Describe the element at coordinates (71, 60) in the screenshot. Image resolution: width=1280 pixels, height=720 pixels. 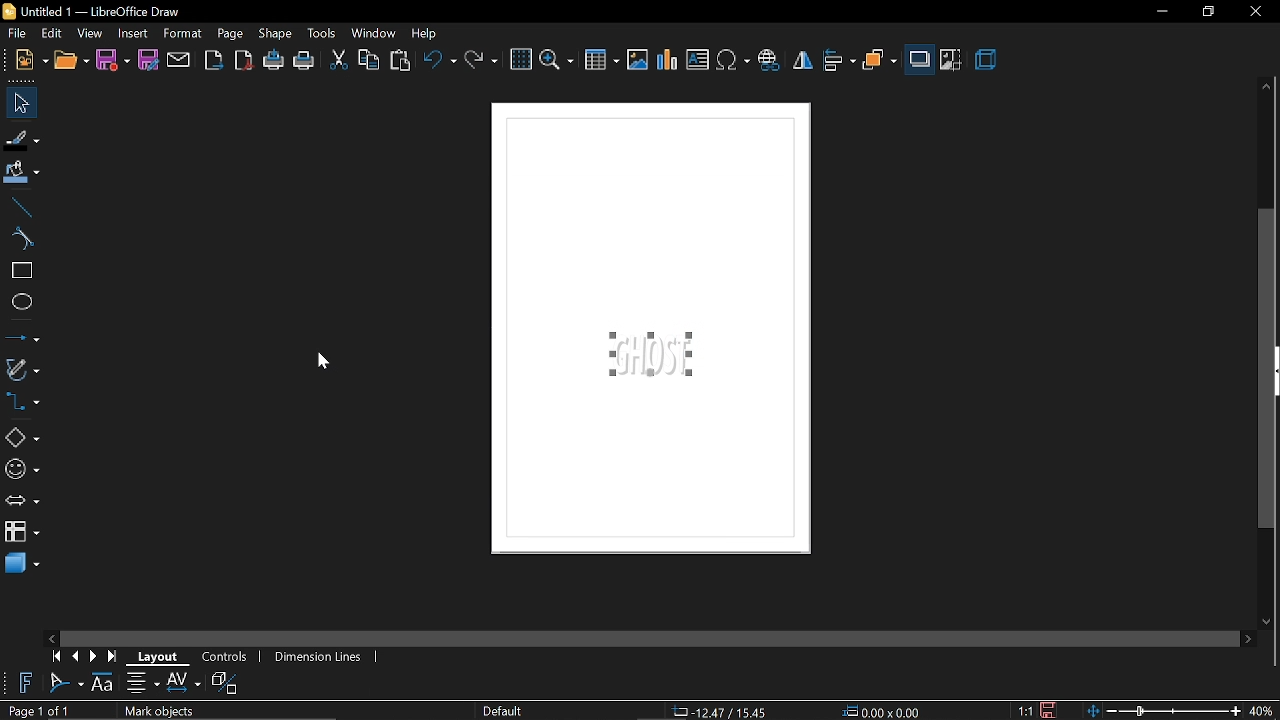
I see `open` at that location.